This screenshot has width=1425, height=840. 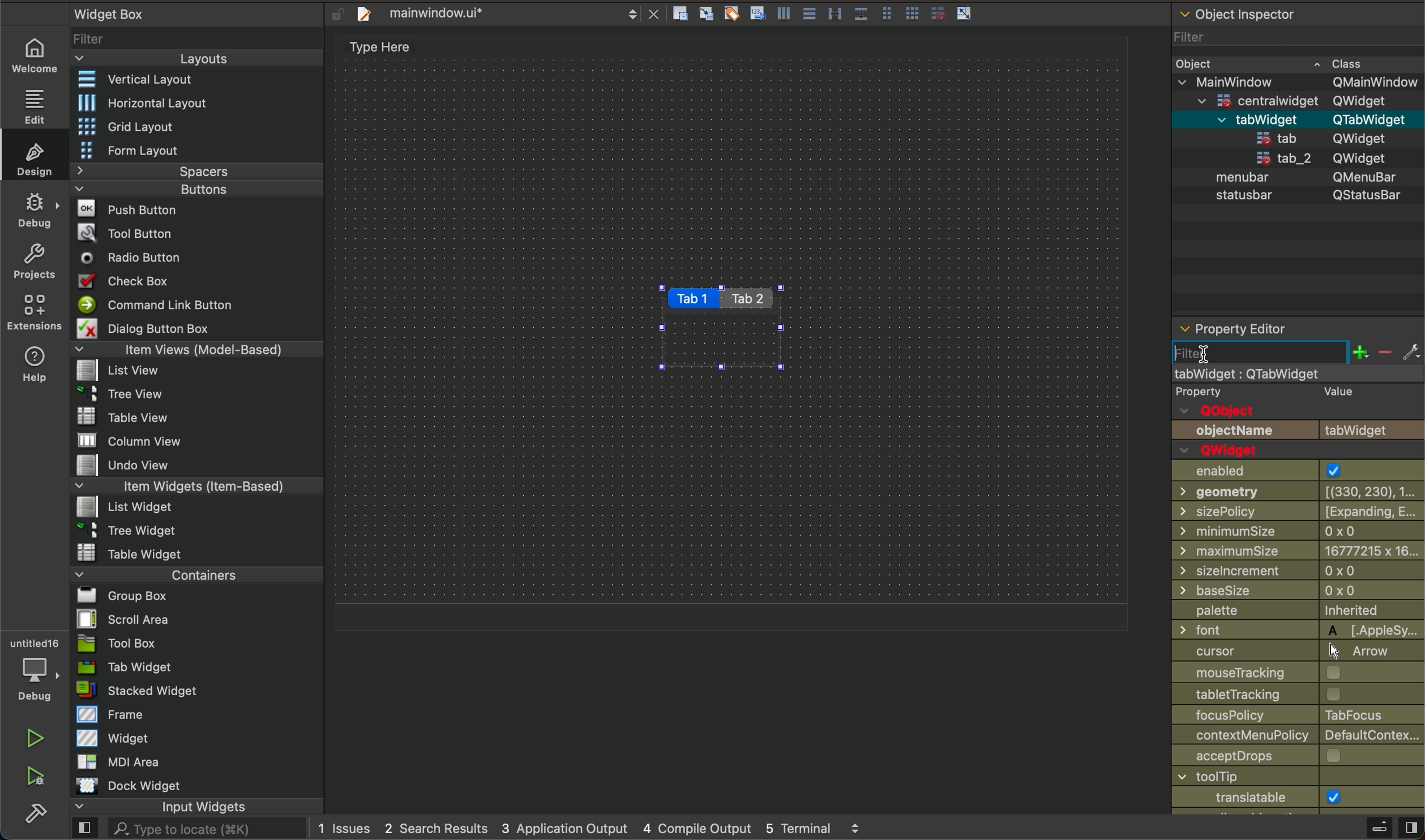 I want to click on size increment, so click(x=1298, y=571).